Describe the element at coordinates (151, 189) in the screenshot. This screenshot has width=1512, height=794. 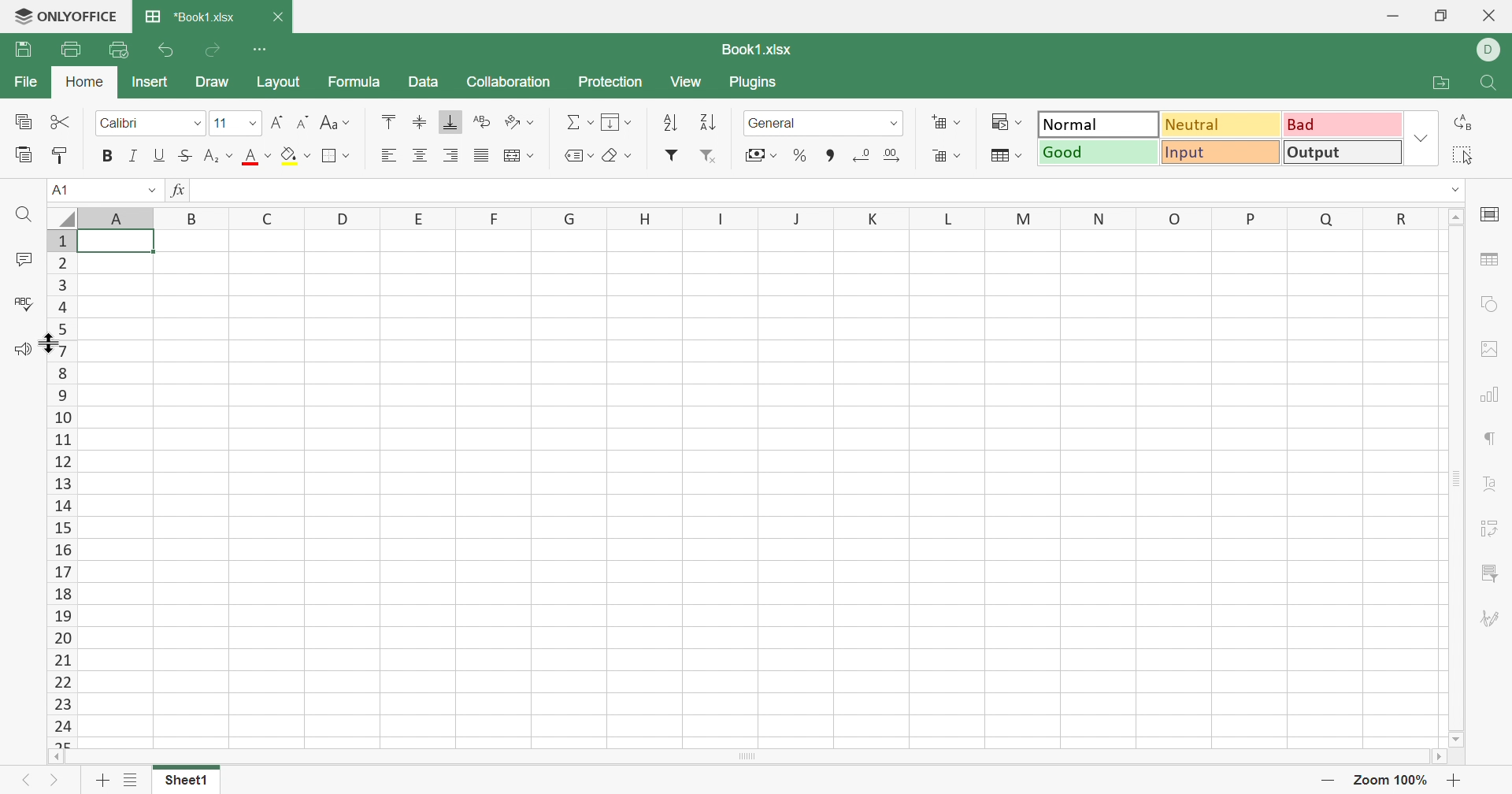
I see `Drop down` at that location.